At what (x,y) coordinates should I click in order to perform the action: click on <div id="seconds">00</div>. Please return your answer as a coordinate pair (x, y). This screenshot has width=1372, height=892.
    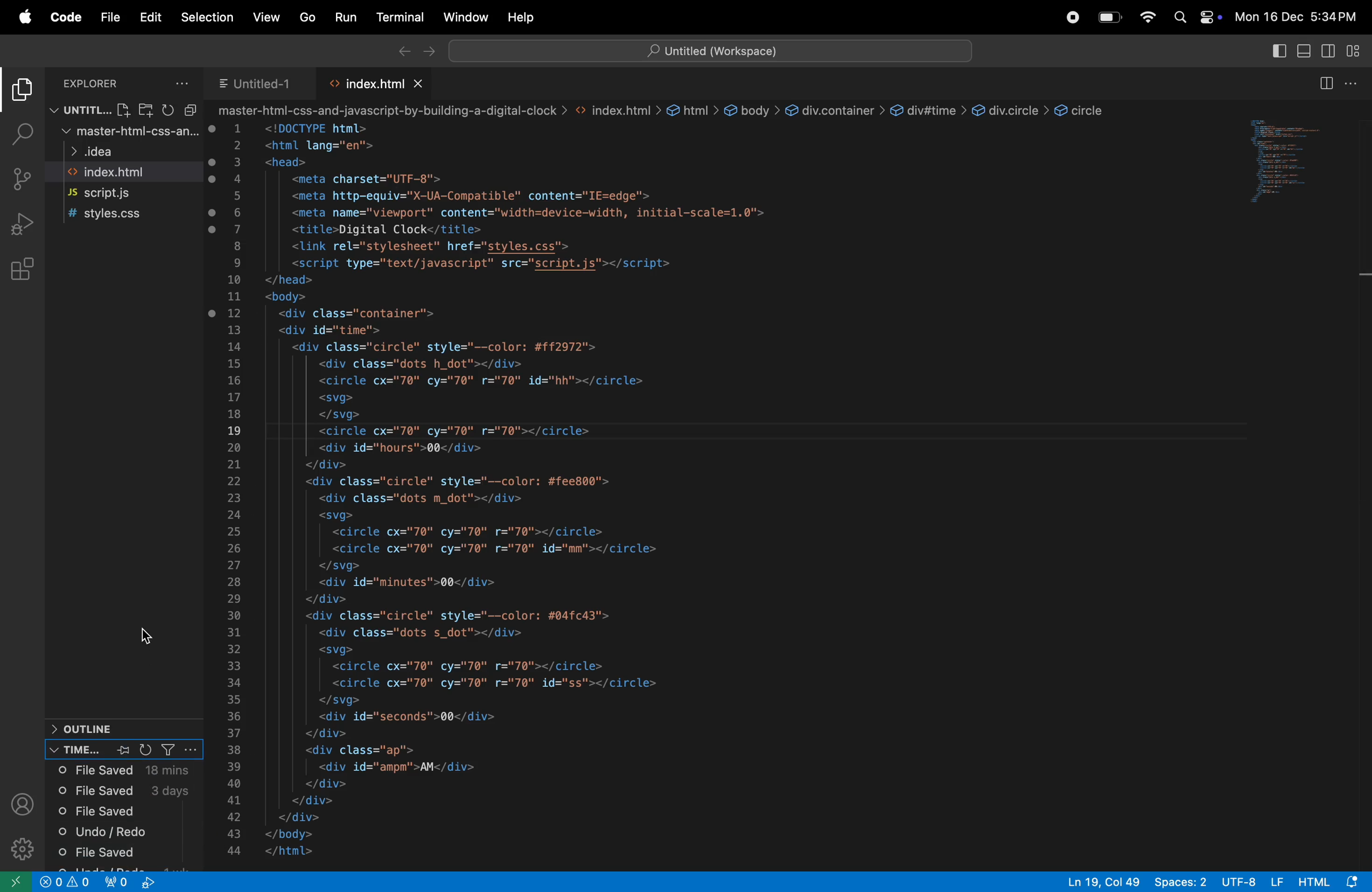
    Looking at the image, I should click on (413, 717).